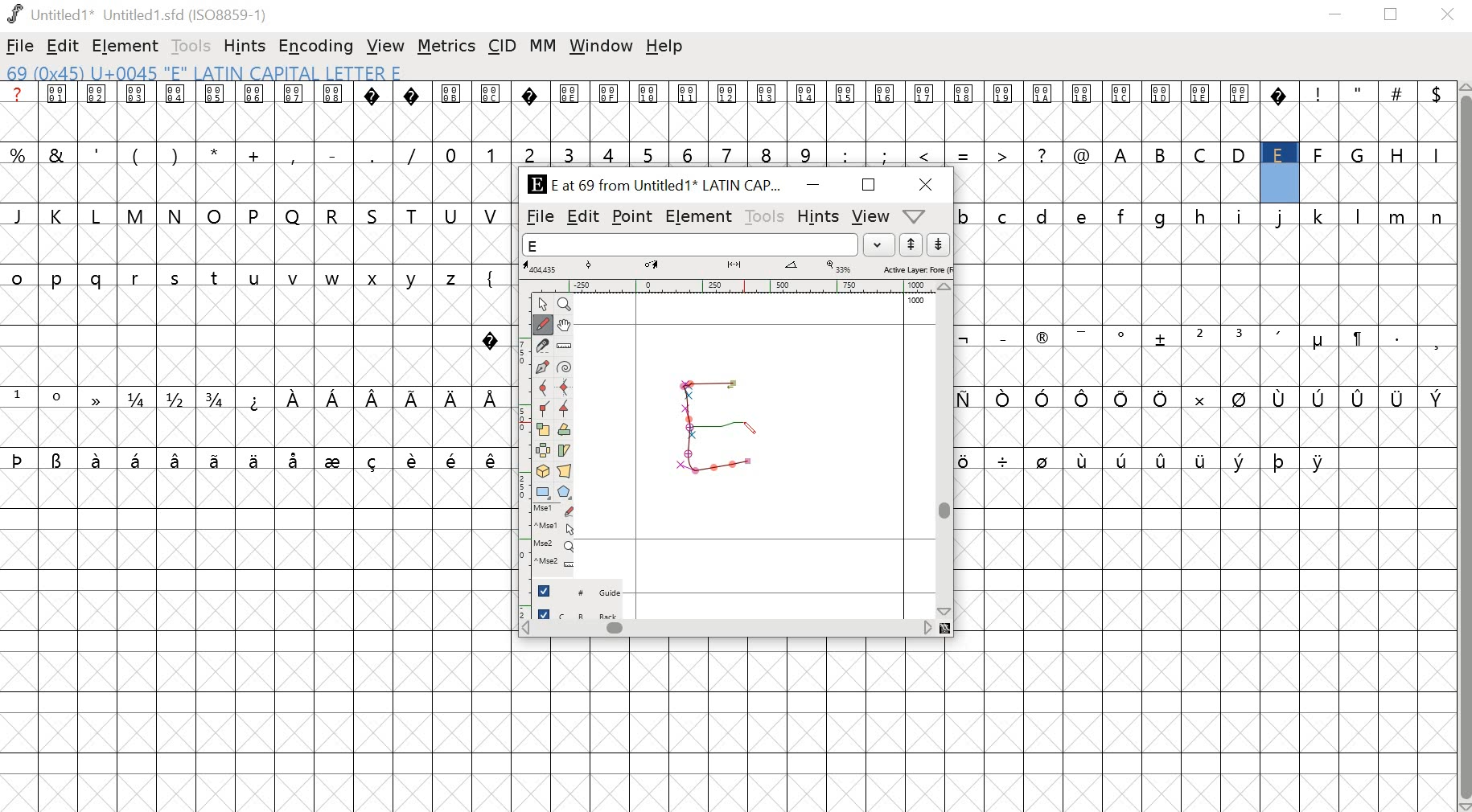  What do you see at coordinates (502, 47) in the screenshot?
I see `CID` at bounding box center [502, 47].